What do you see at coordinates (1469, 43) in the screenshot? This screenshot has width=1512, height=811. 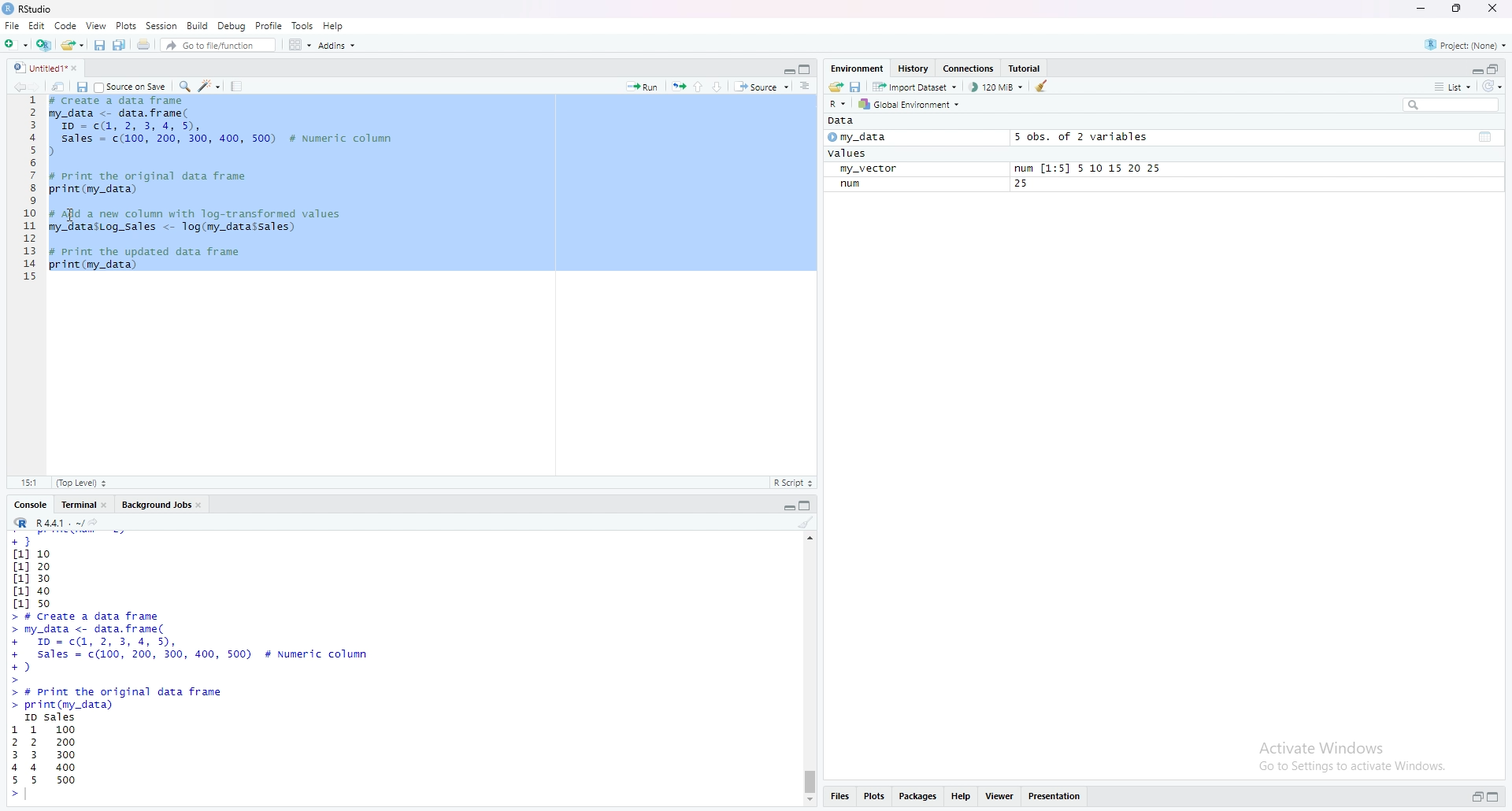 I see `Project:(None)` at bounding box center [1469, 43].